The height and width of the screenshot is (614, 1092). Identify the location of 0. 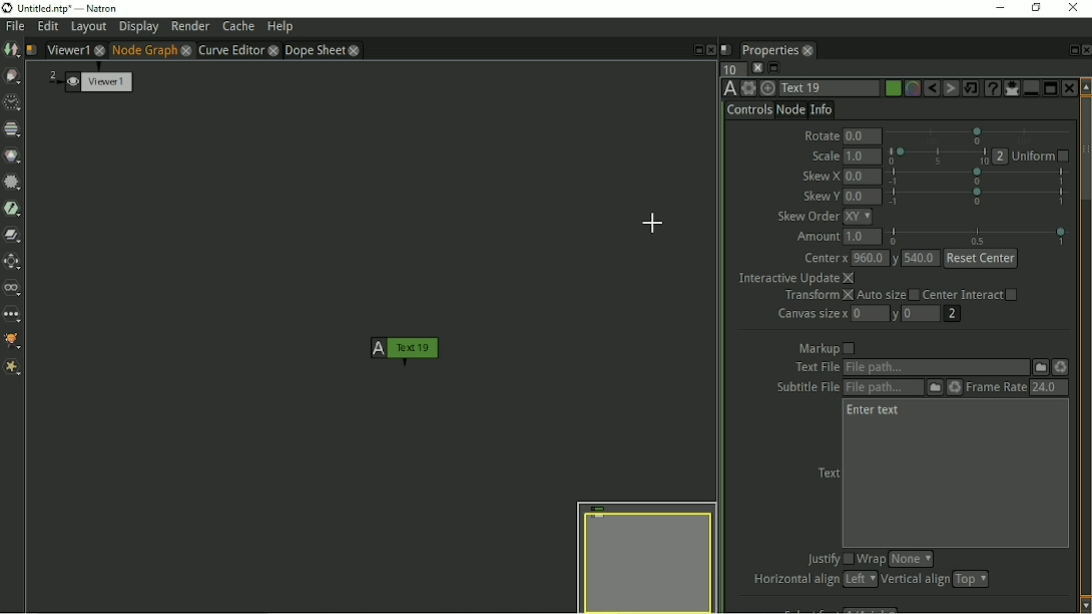
(868, 313).